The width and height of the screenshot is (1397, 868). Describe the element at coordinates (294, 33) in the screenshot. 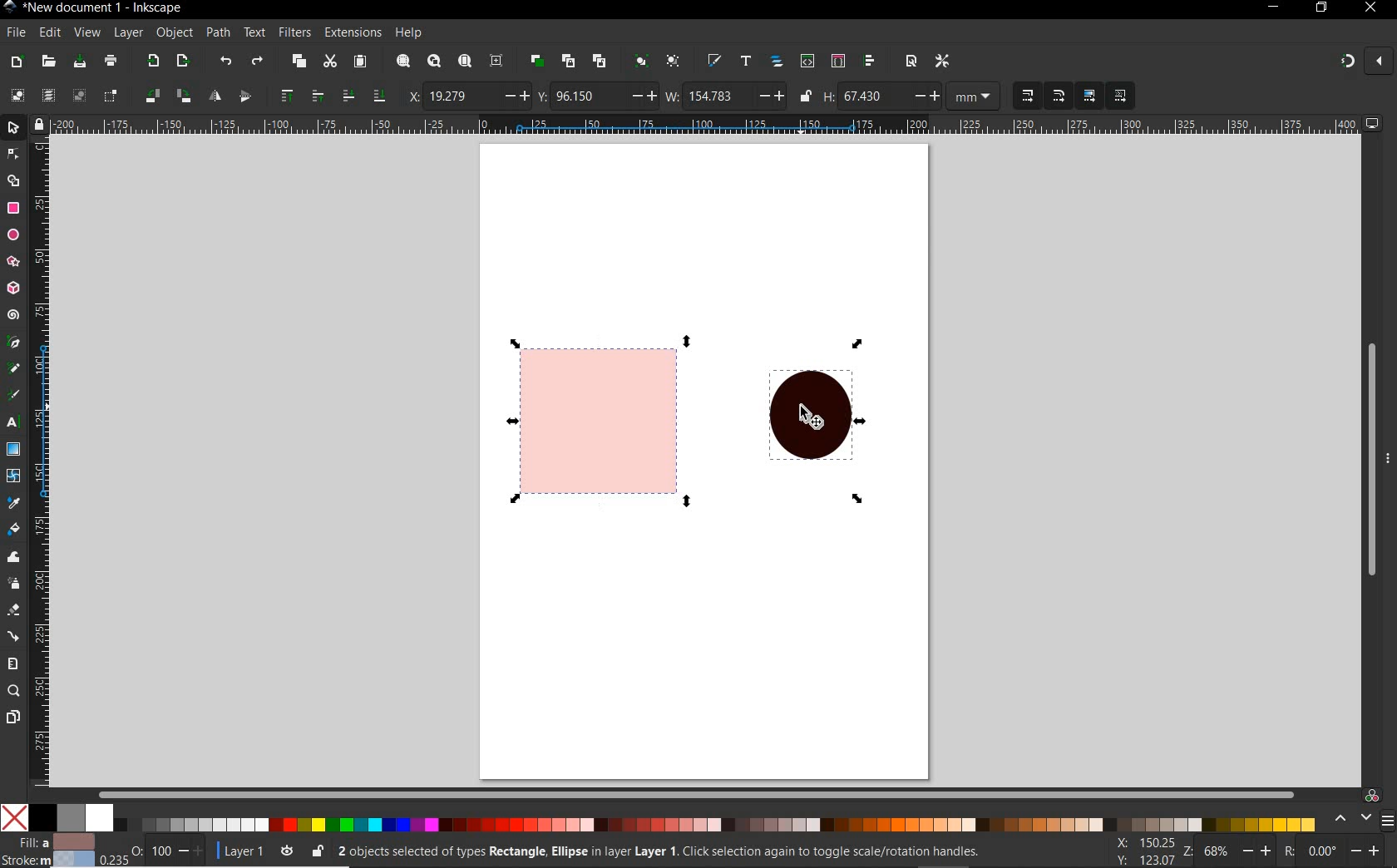

I see `filters` at that location.